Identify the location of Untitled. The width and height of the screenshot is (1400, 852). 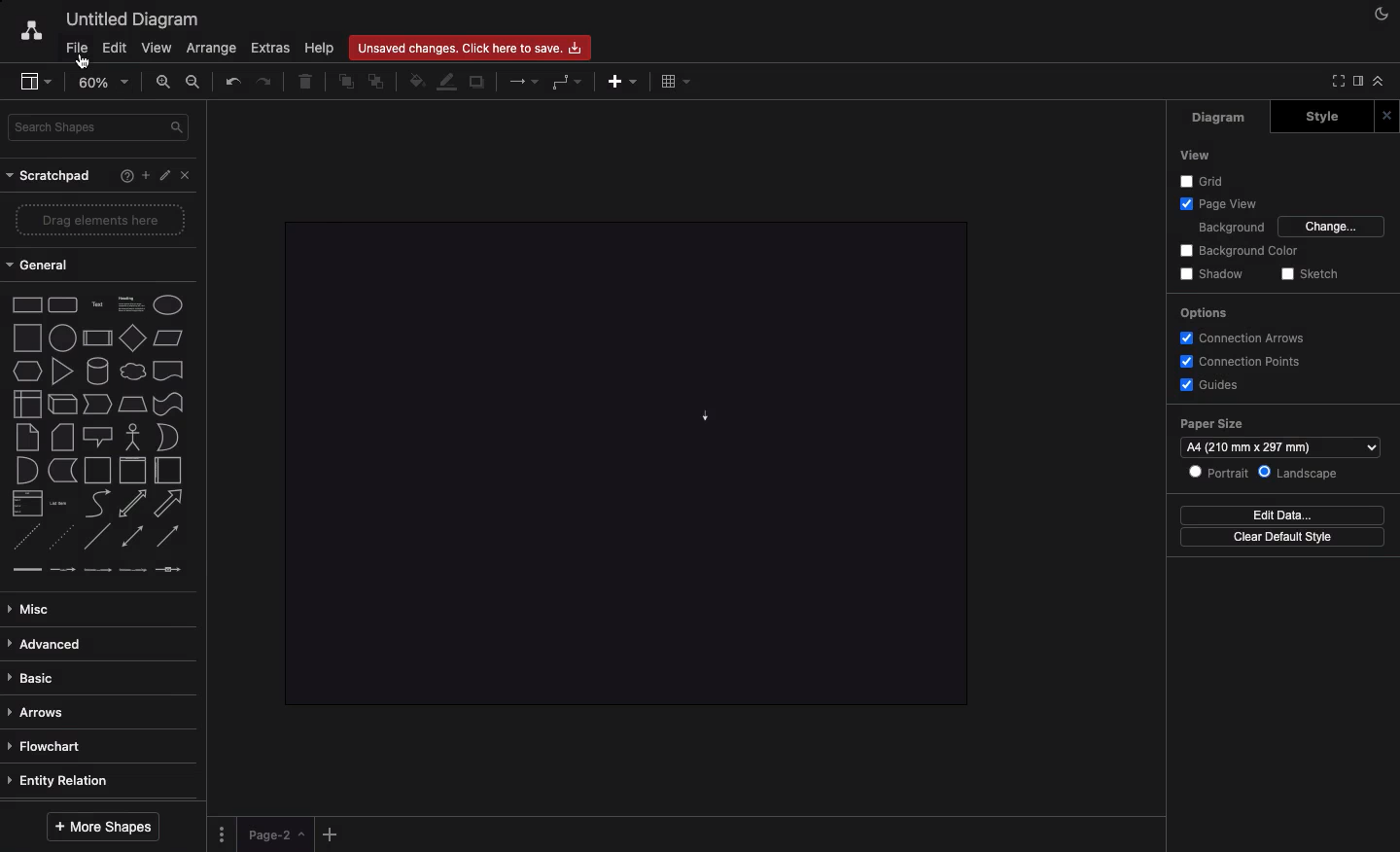
(128, 18).